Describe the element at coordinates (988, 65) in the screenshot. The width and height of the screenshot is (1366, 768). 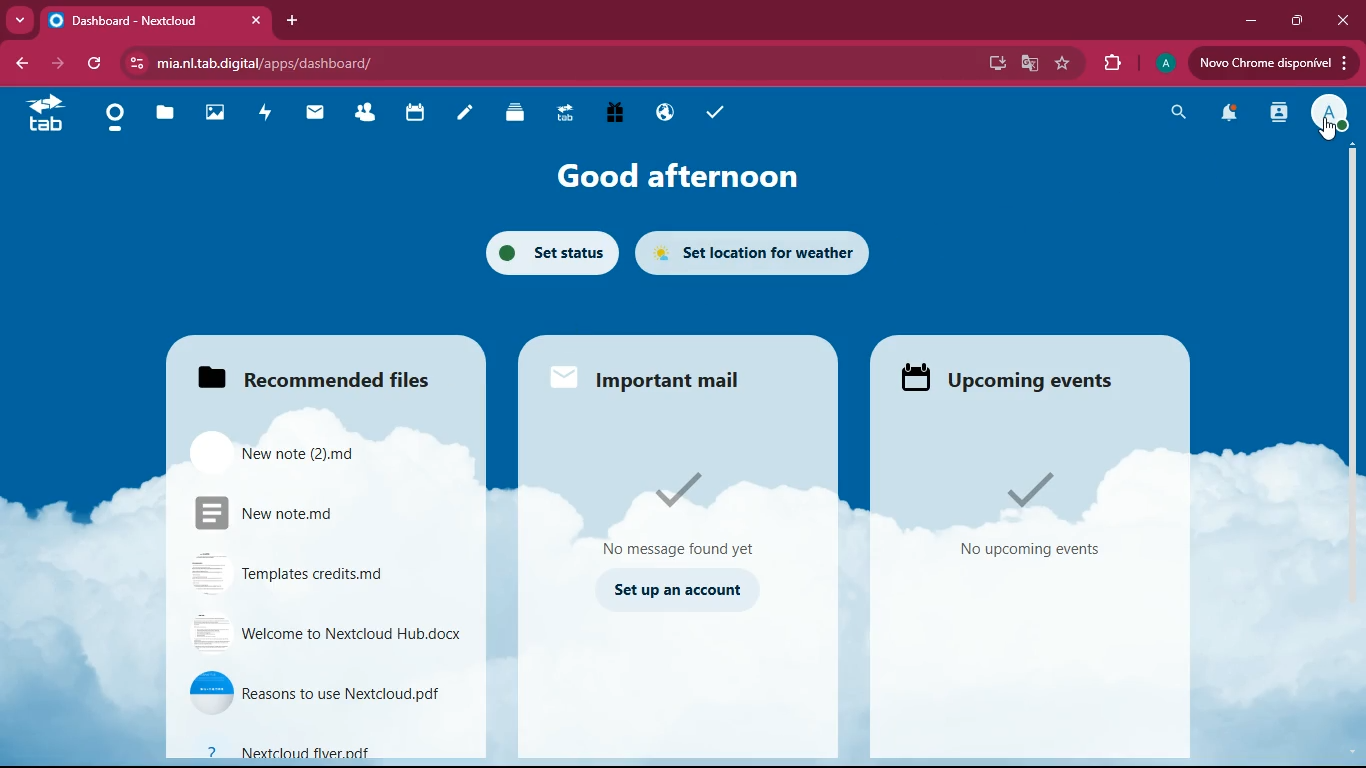
I see `desktop` at that location.